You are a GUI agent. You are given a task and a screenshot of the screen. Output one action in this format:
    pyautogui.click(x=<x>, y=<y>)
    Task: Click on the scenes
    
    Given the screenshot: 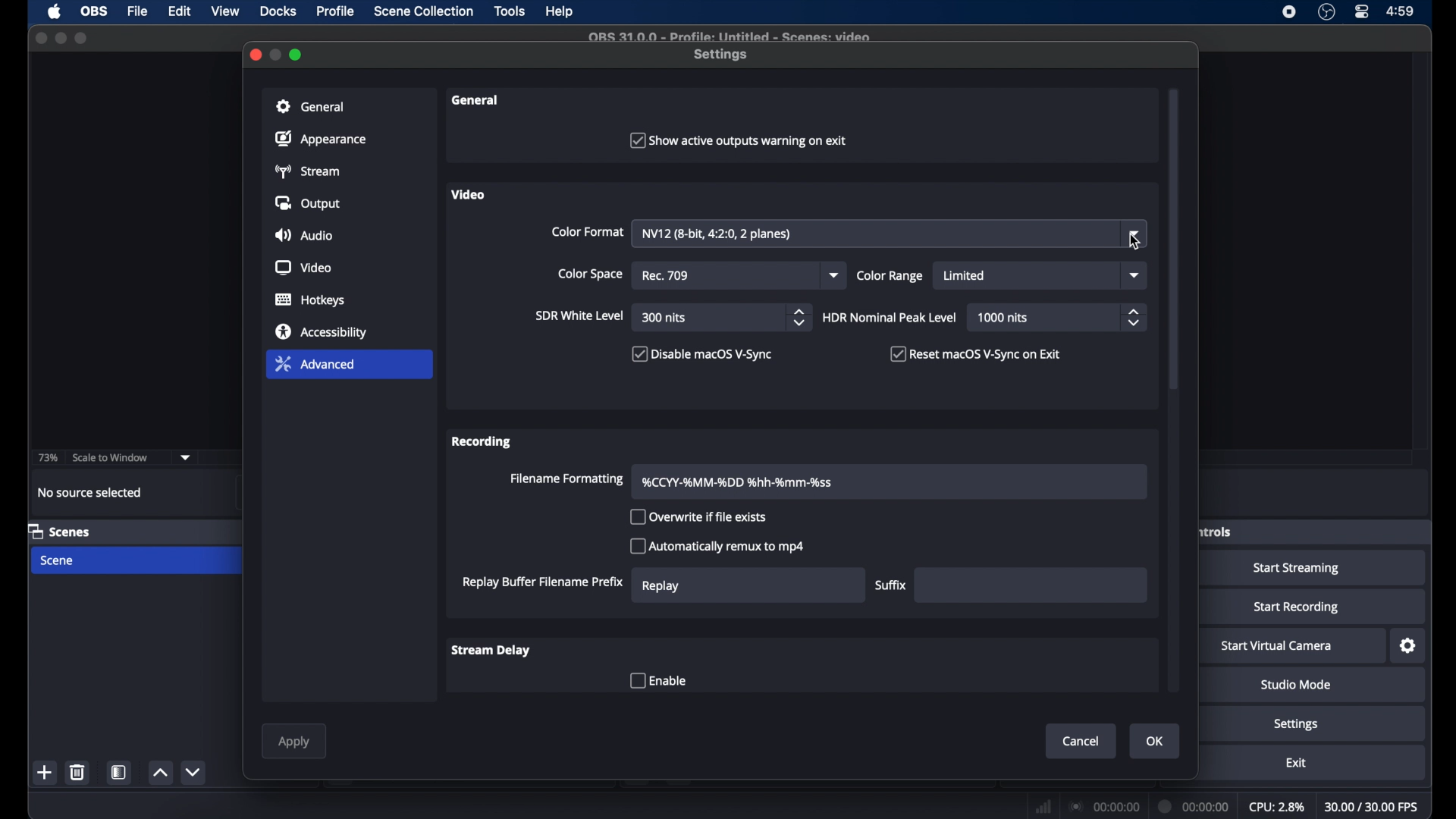 What is the action you would take?
    pyautogui.click(x=61, y=532)
    